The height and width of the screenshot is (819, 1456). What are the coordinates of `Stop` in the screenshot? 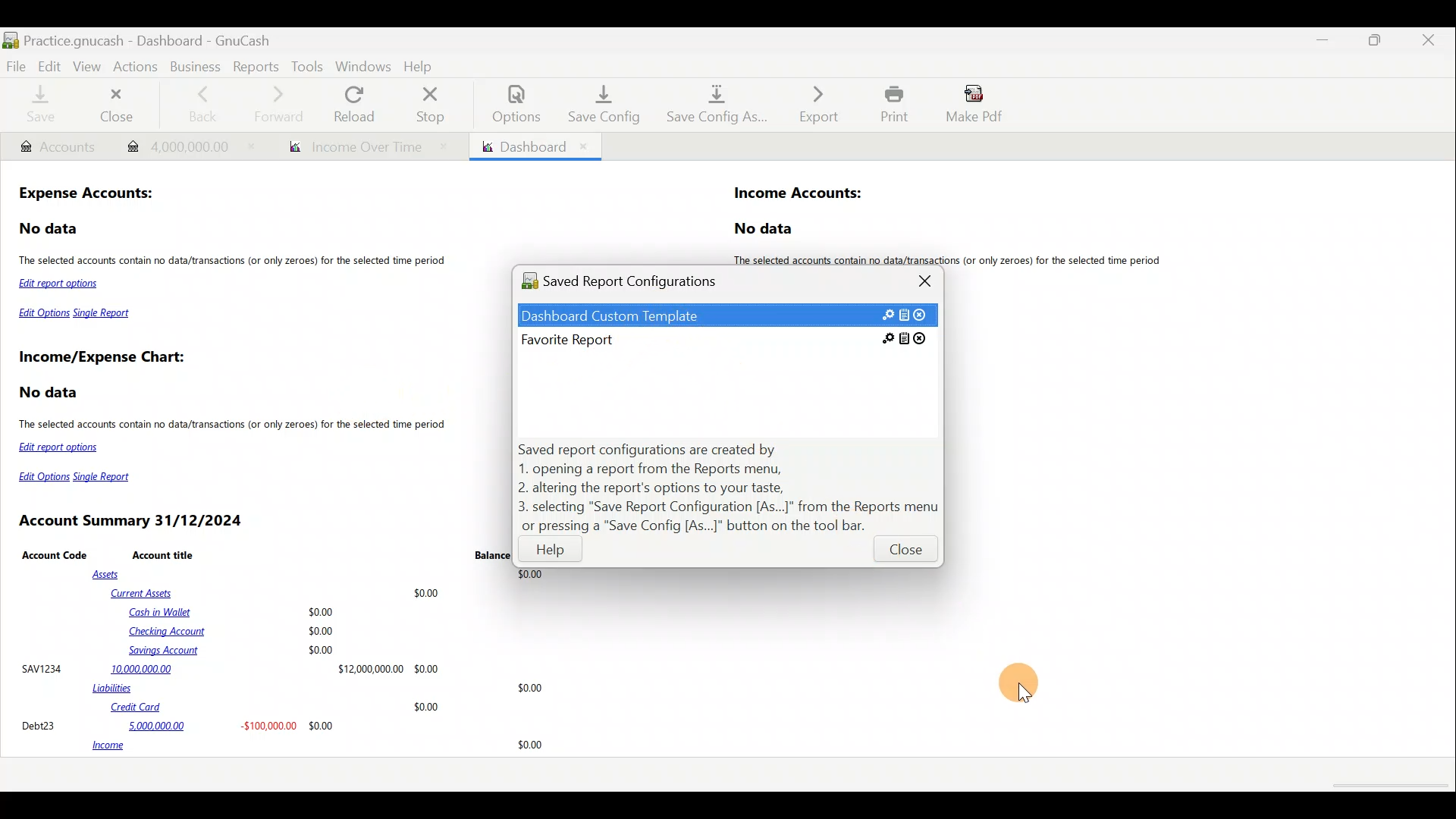 It's located at (435, 104).